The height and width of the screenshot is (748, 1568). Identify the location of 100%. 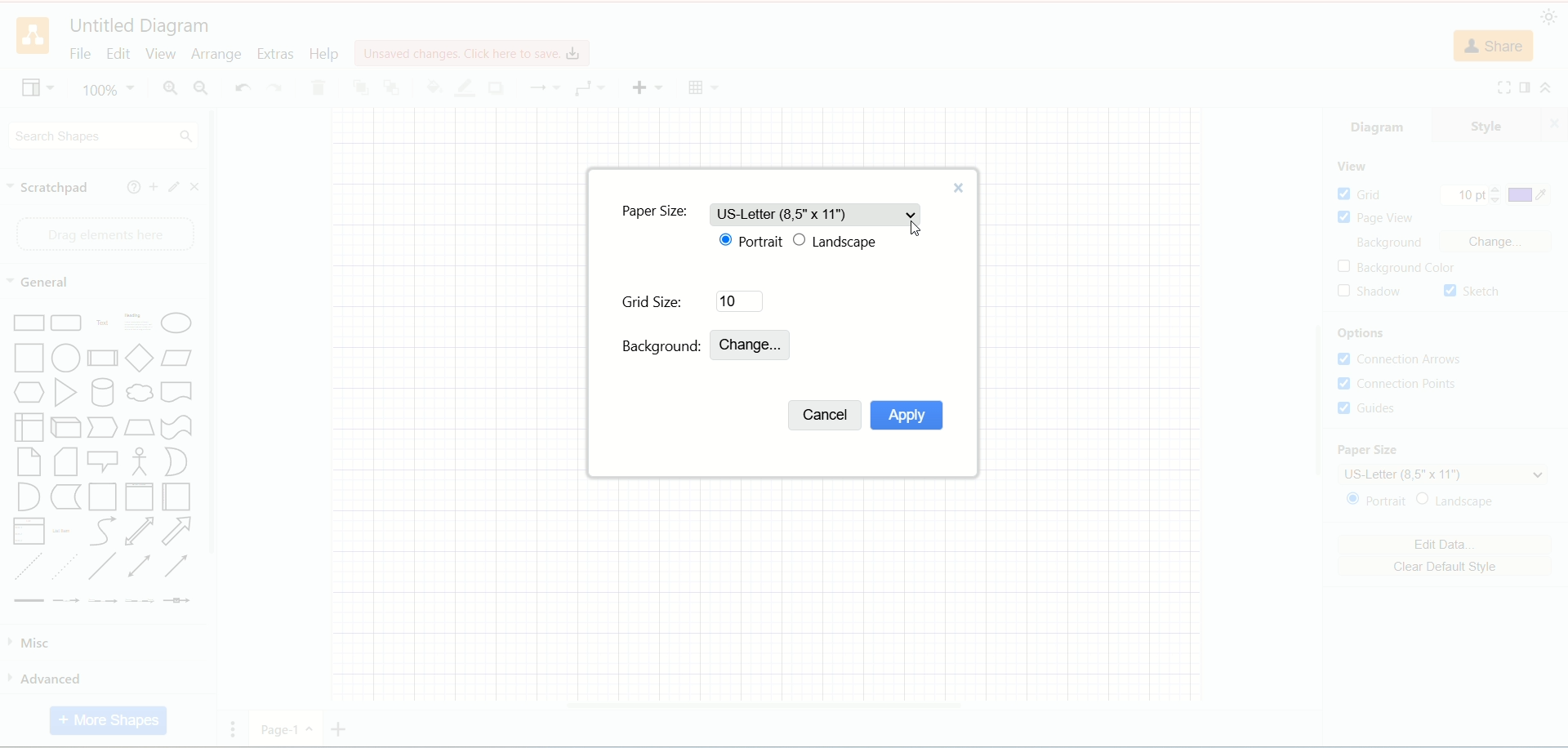
(107, 89).